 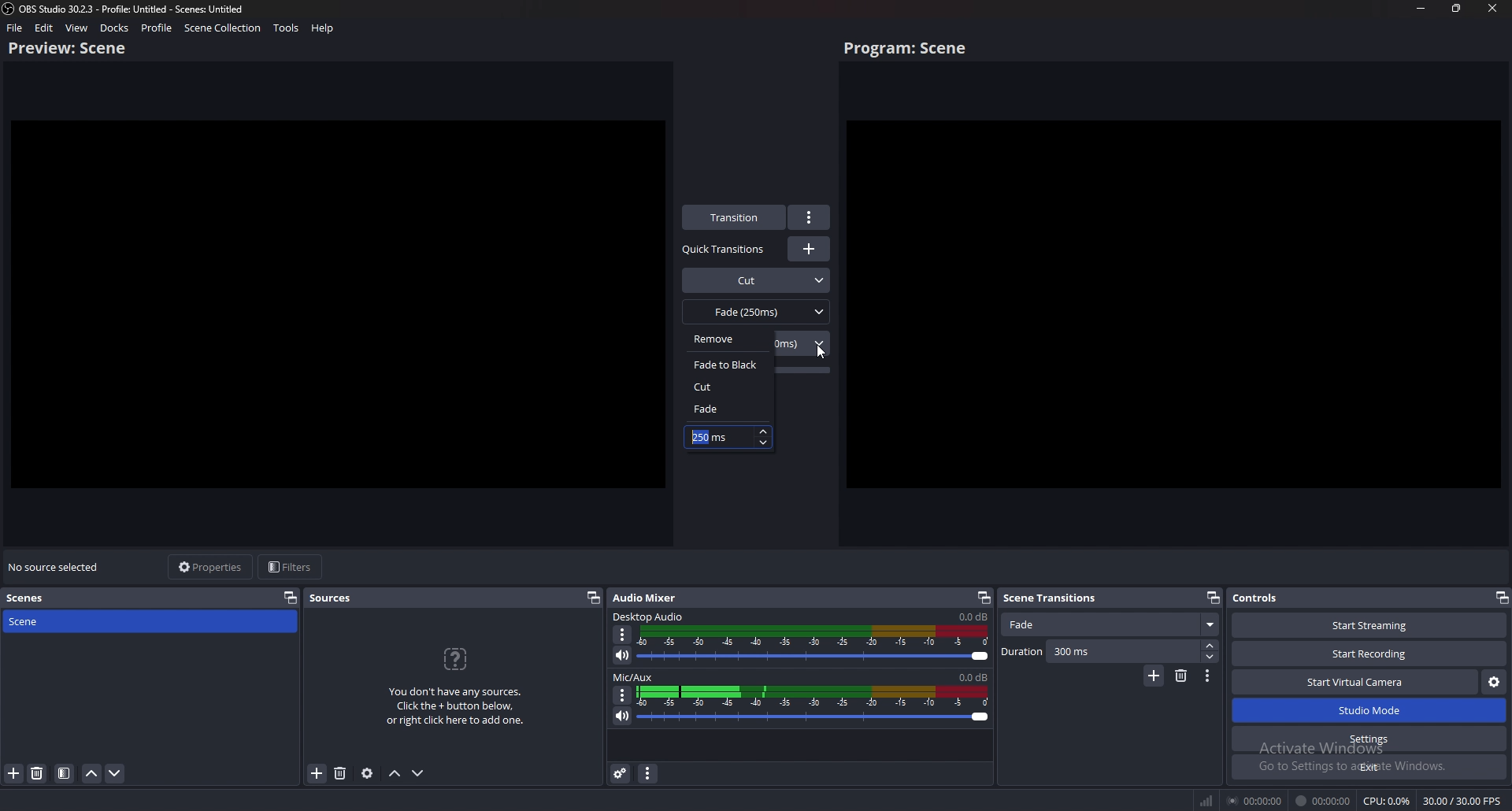 What do you see at coordinates (624, 656) in the screenshot?
I see `Mute` at bounding box center [624, 656].